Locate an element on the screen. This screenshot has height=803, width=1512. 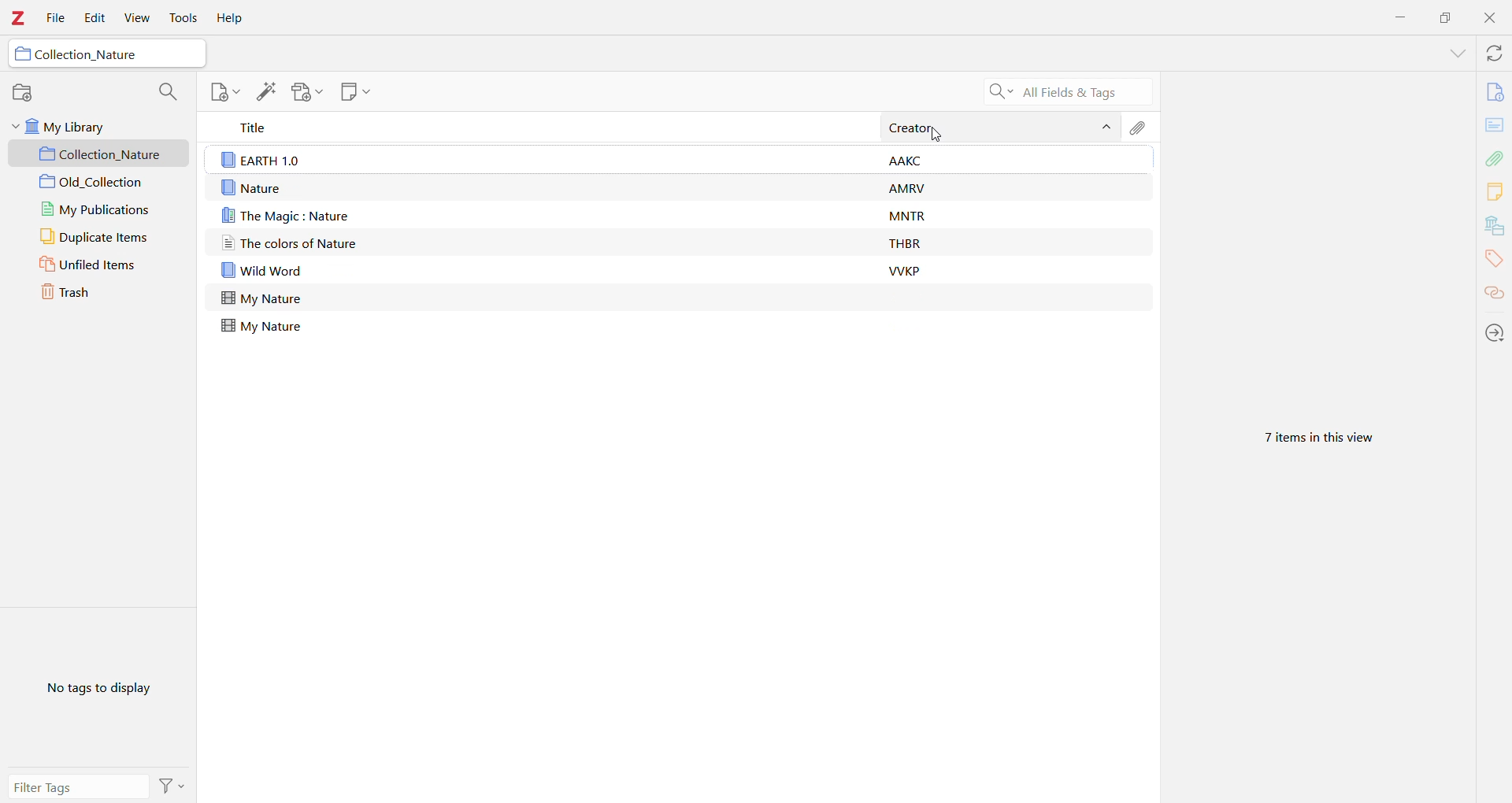
pointer cursor is located at coordinates (943, 141).